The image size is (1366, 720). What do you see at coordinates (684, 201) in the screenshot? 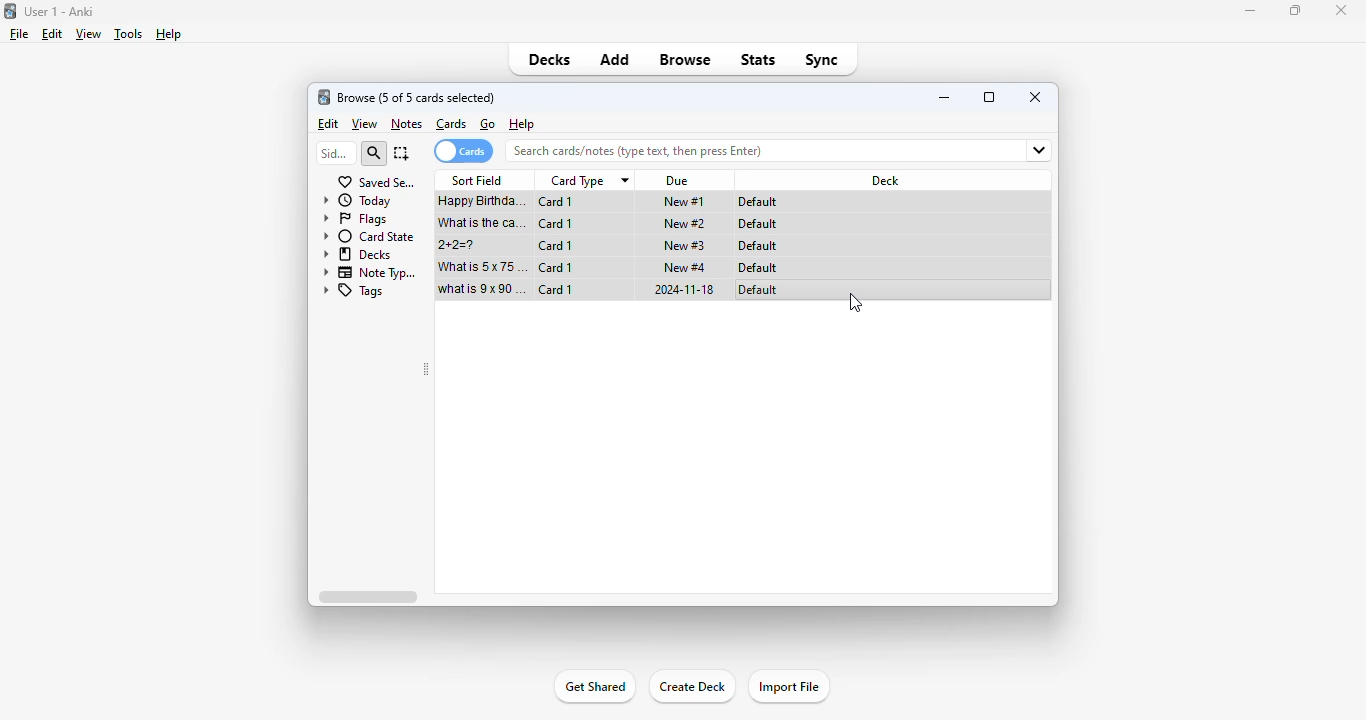
I see `new #1` at bounding box center [684, 201].